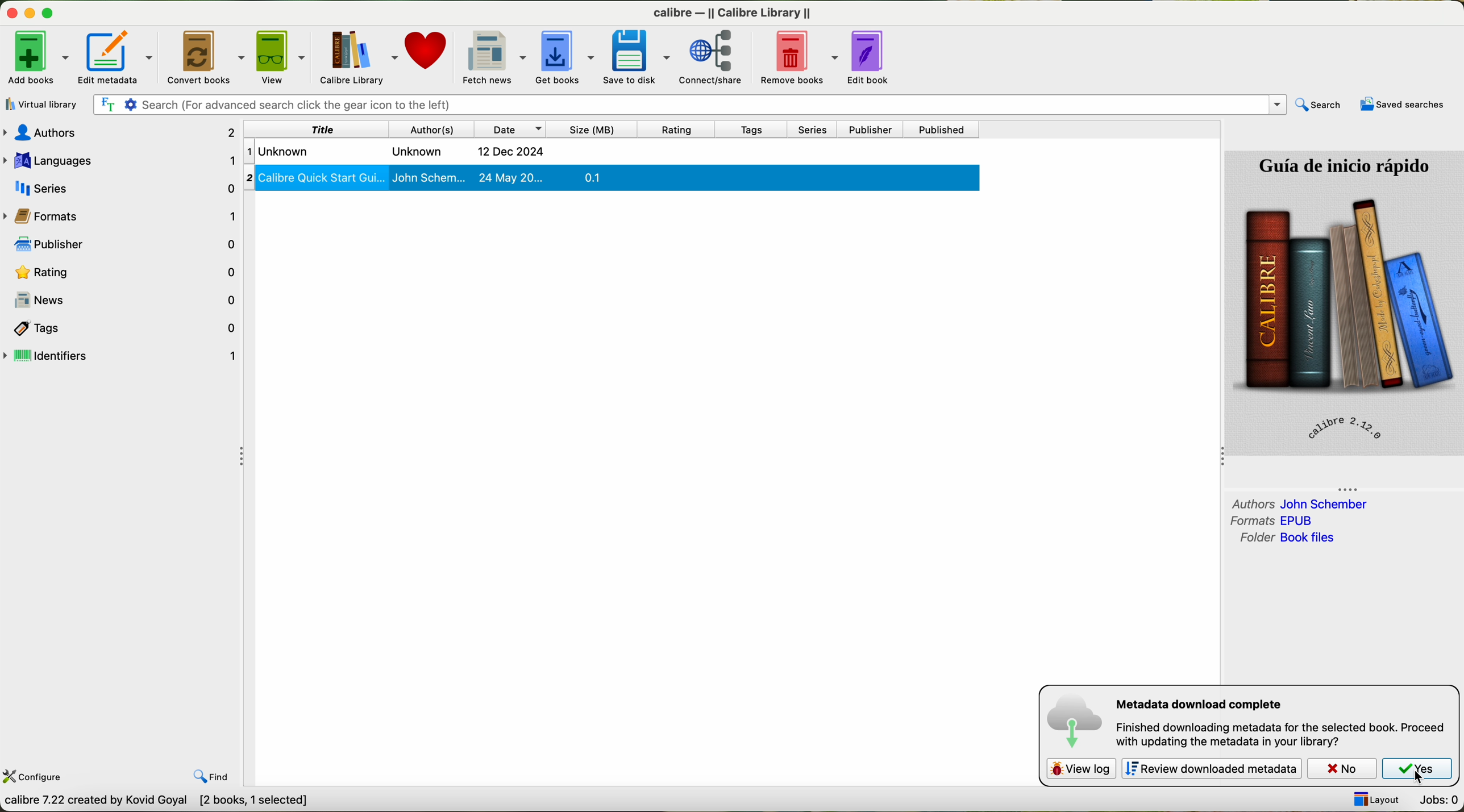 The width and height of the screenshot is (1464, 812). I want to click on formats, so click(1275, 520).